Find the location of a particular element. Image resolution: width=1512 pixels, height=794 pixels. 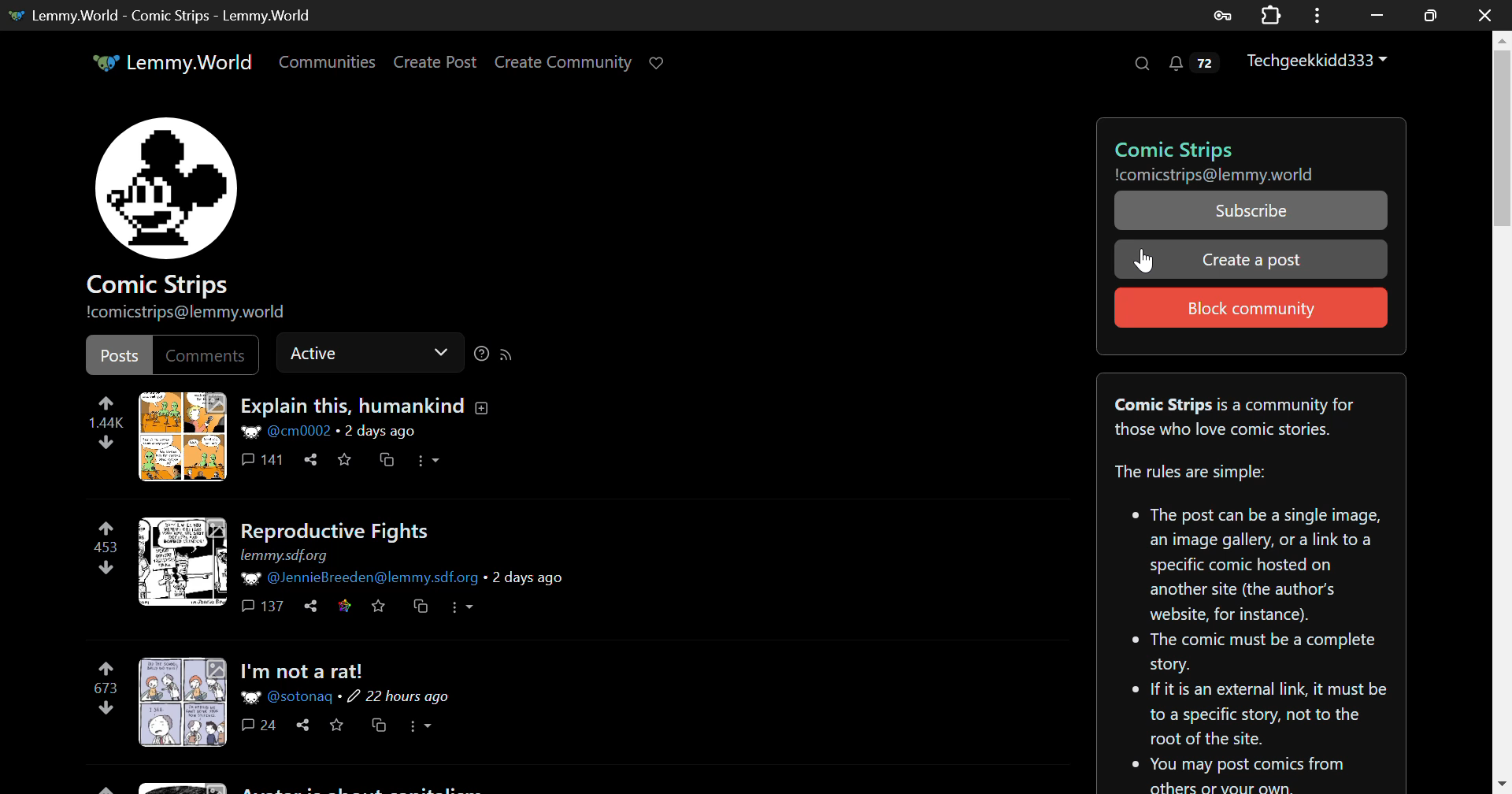

More options is located at coordinates (428, 459).